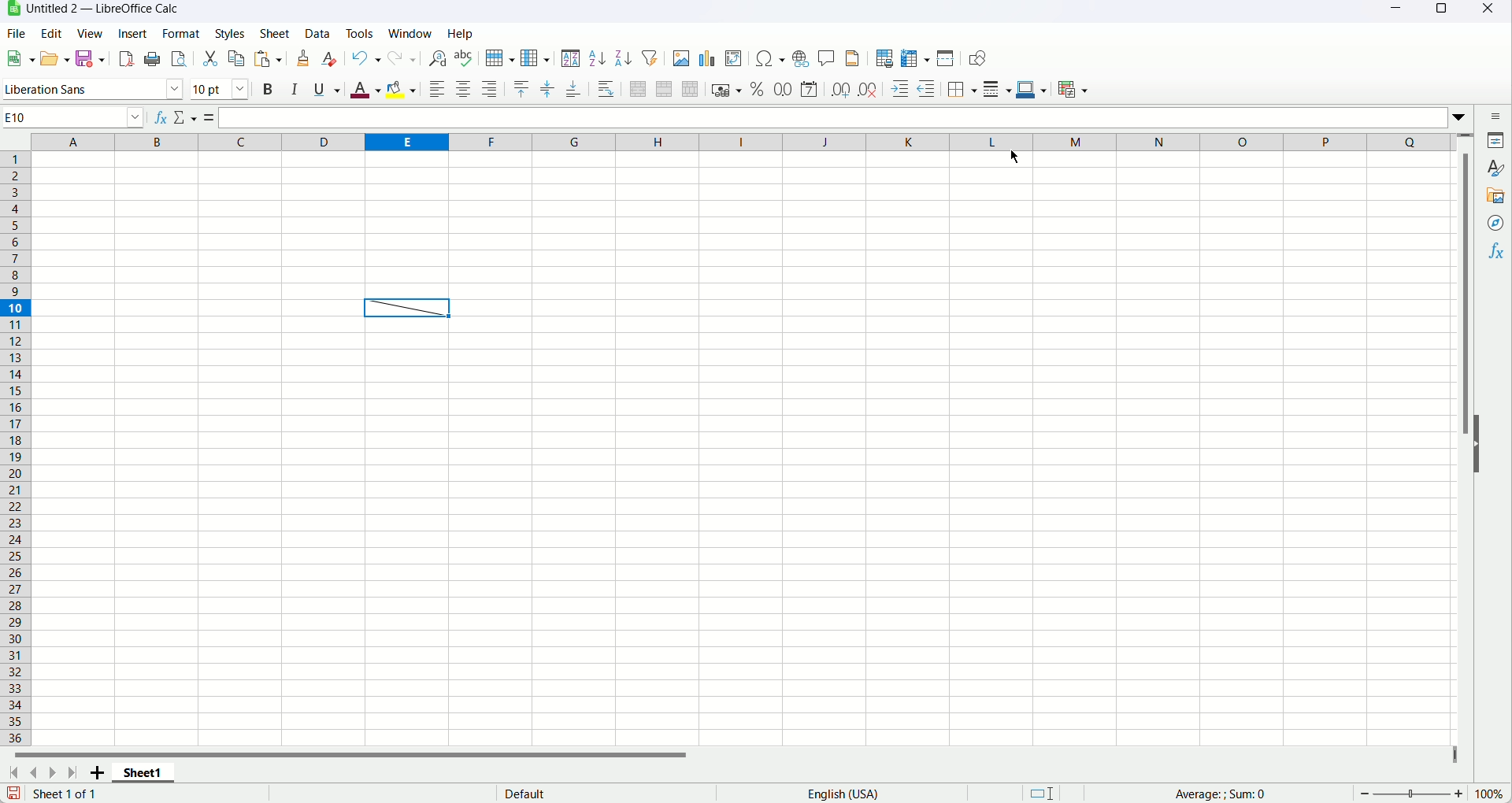 The width and height of the screenshot is (1512, 803). Describe the element at coordinates (997, 89) in the screenshot. I see `Border Style` at that location.